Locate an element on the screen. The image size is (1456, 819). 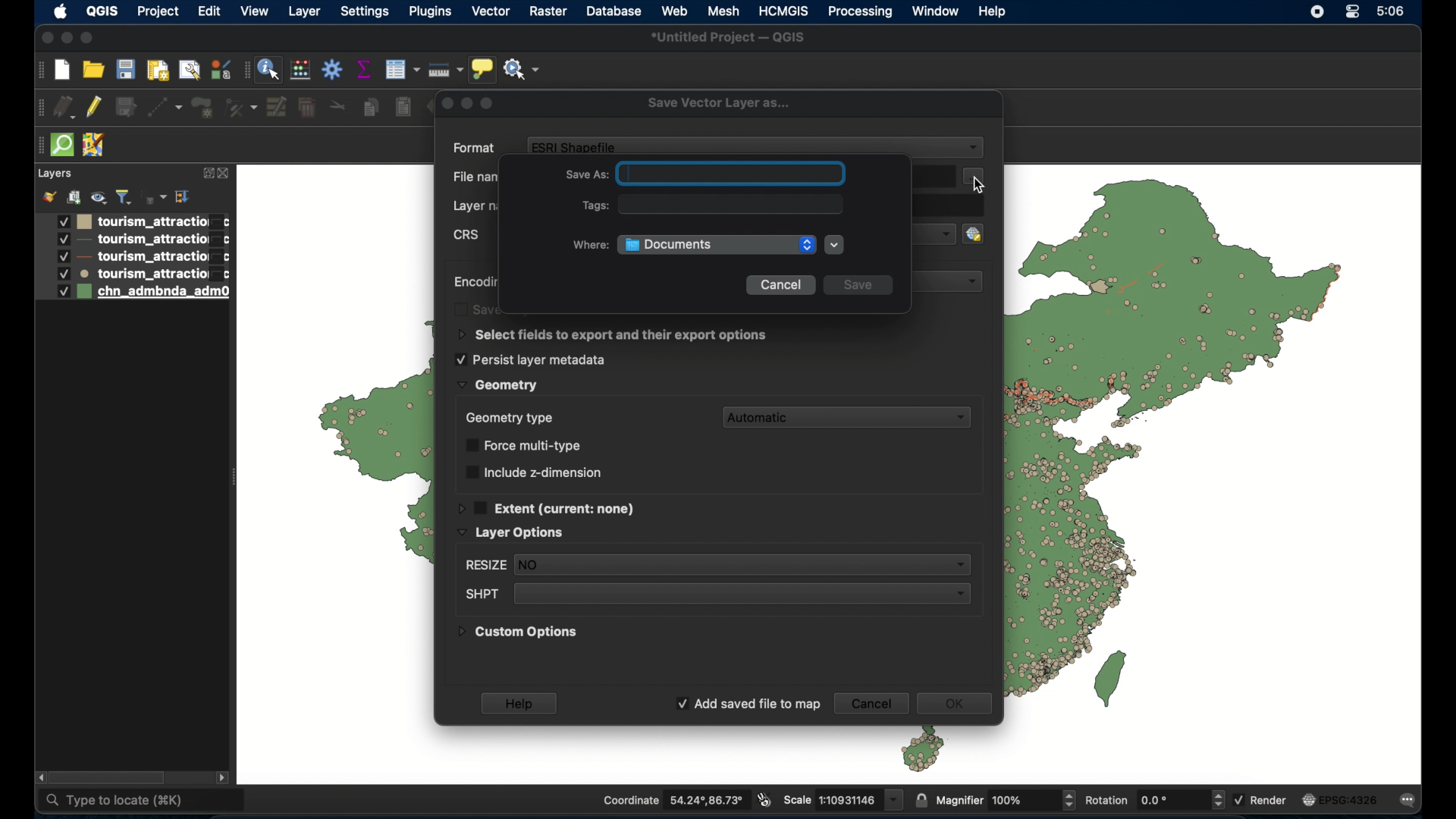
toggle extents and mouse display position is located at coordinates (765, 801).